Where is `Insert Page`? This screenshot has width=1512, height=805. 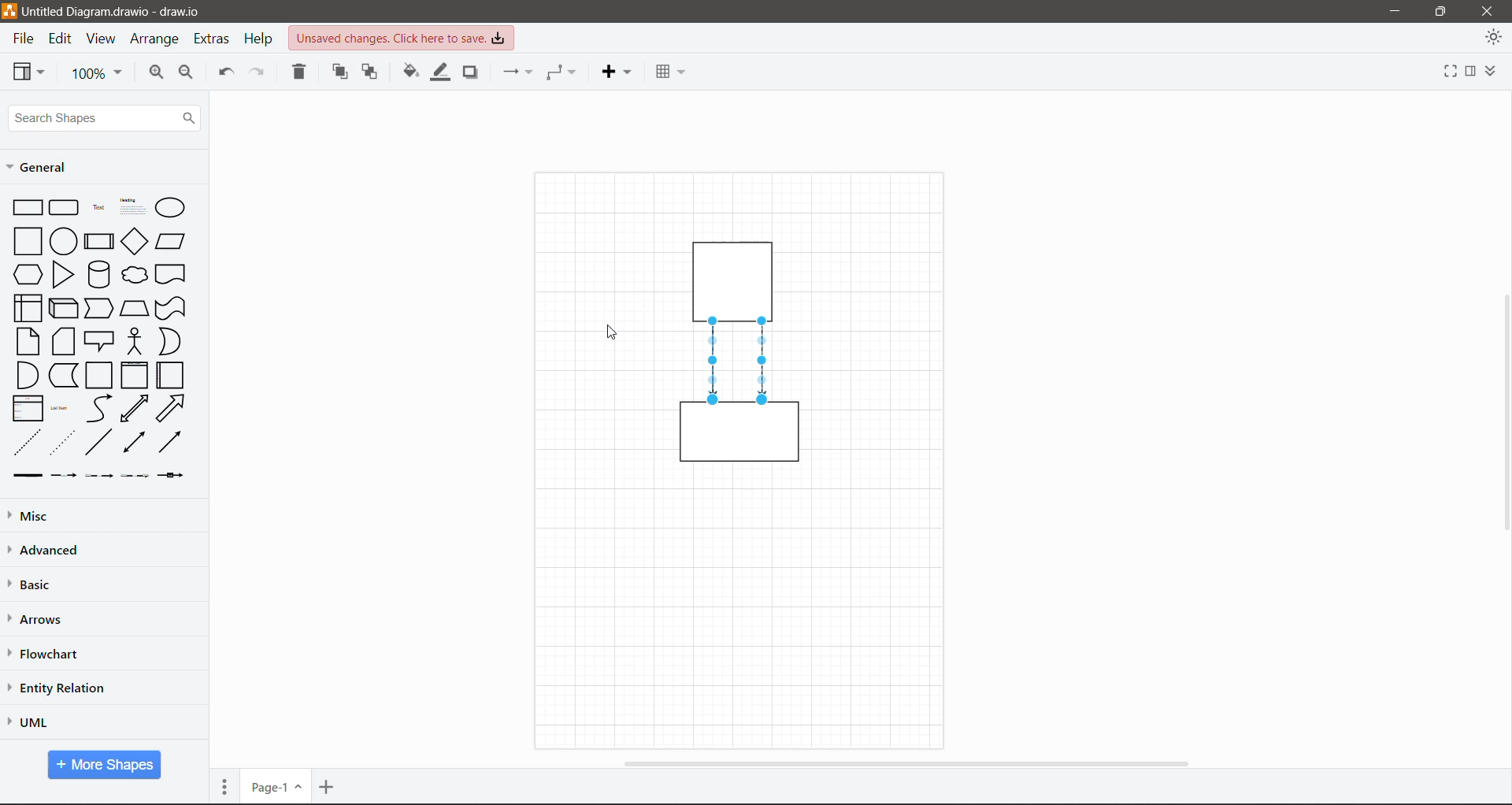 Insert Page is located at coordinates (328, 787).